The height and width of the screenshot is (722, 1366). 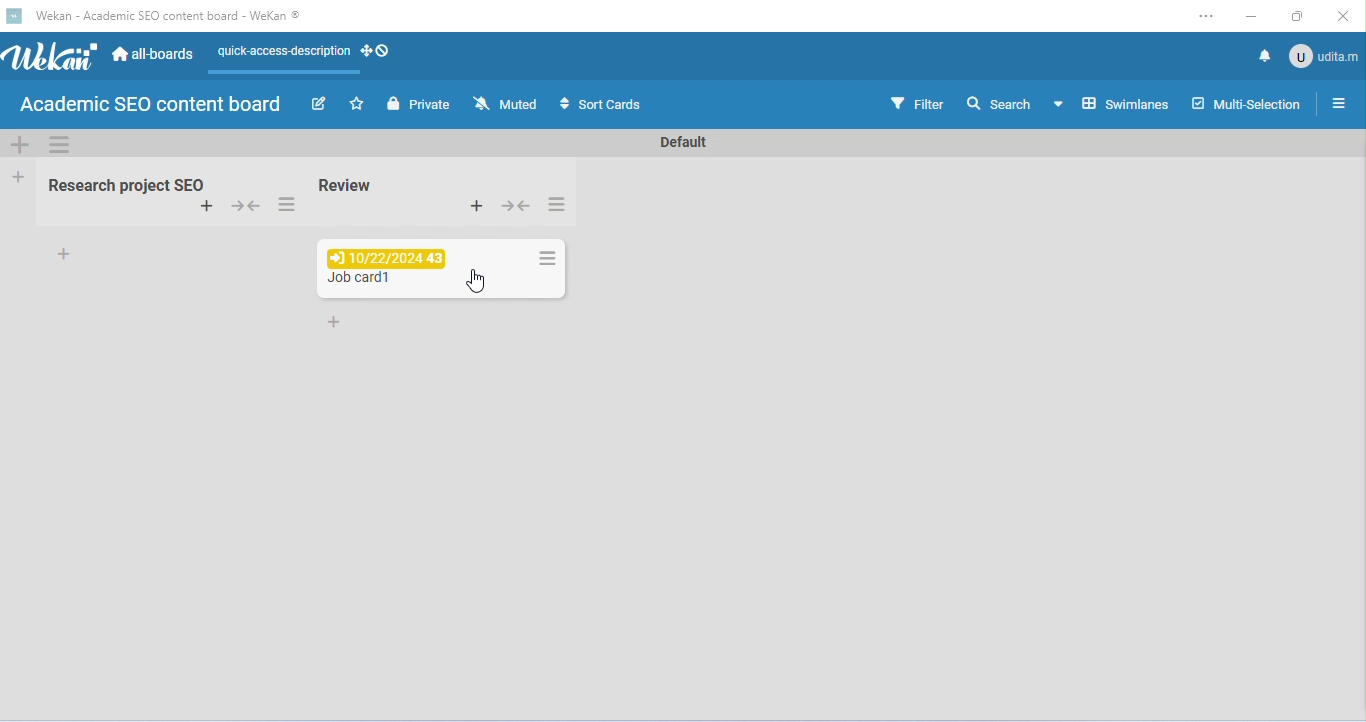 I want to click on filter, so click(x=916, y=102).